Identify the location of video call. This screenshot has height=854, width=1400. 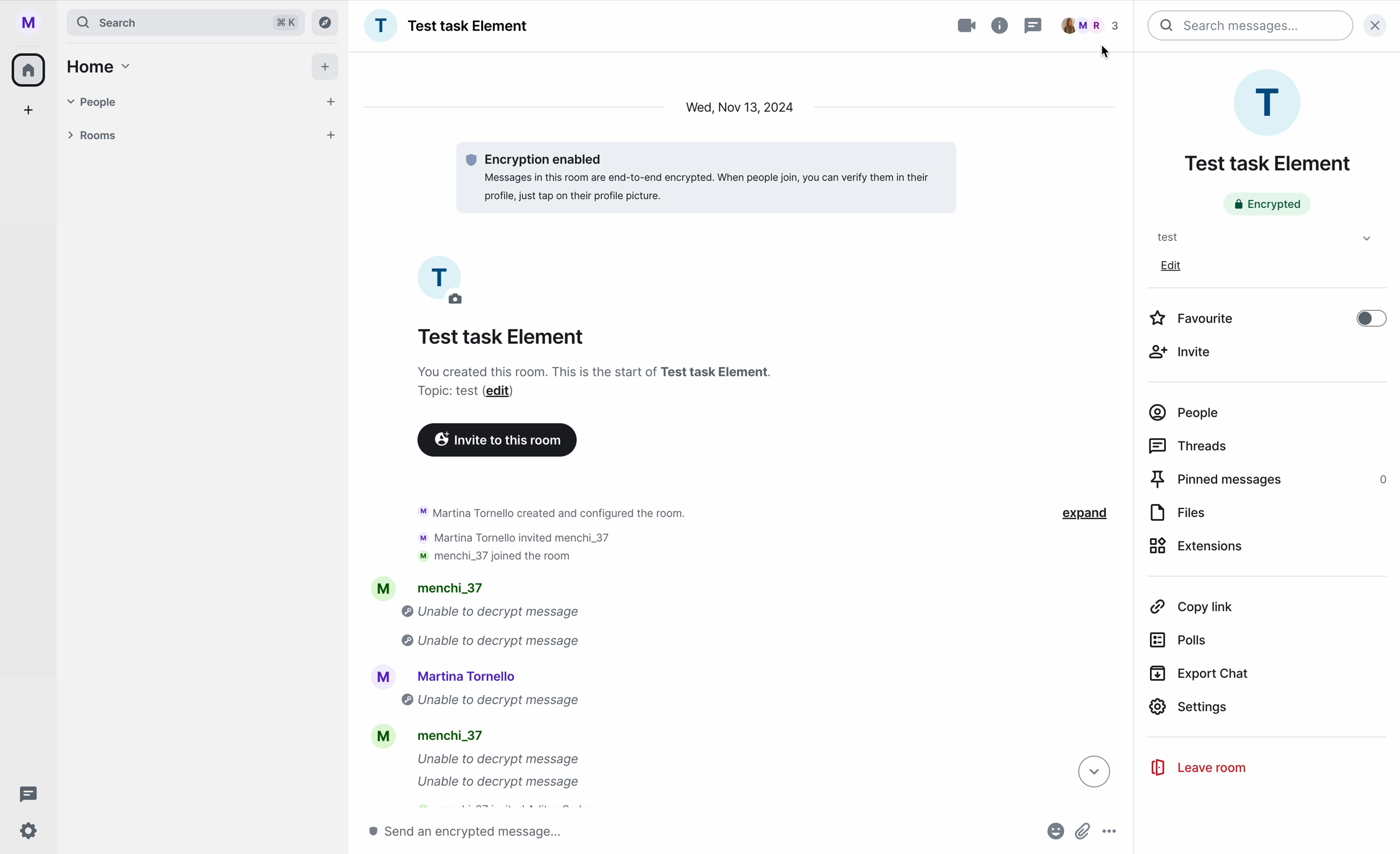
(956, 26).